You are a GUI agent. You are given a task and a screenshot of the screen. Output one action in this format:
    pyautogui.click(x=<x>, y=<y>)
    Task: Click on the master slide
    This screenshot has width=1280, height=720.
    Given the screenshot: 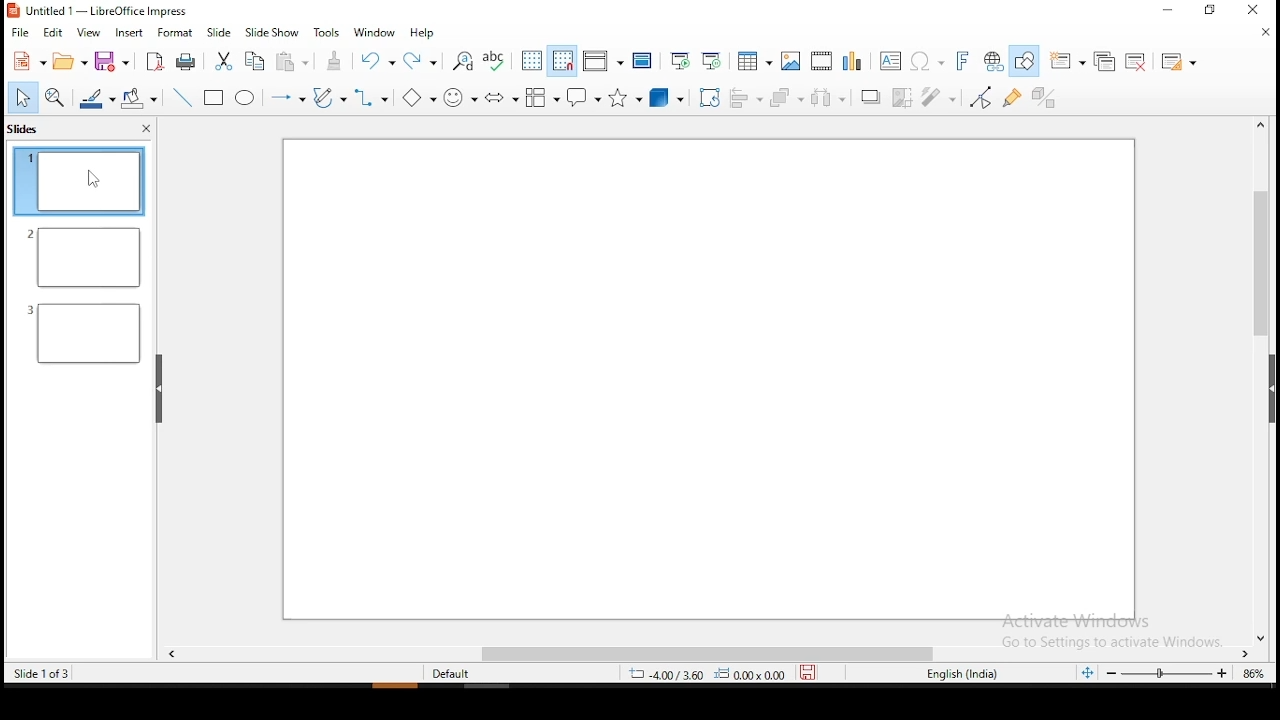 What is the action you would take?
    pyautogui.click(x=643, y=62)
    